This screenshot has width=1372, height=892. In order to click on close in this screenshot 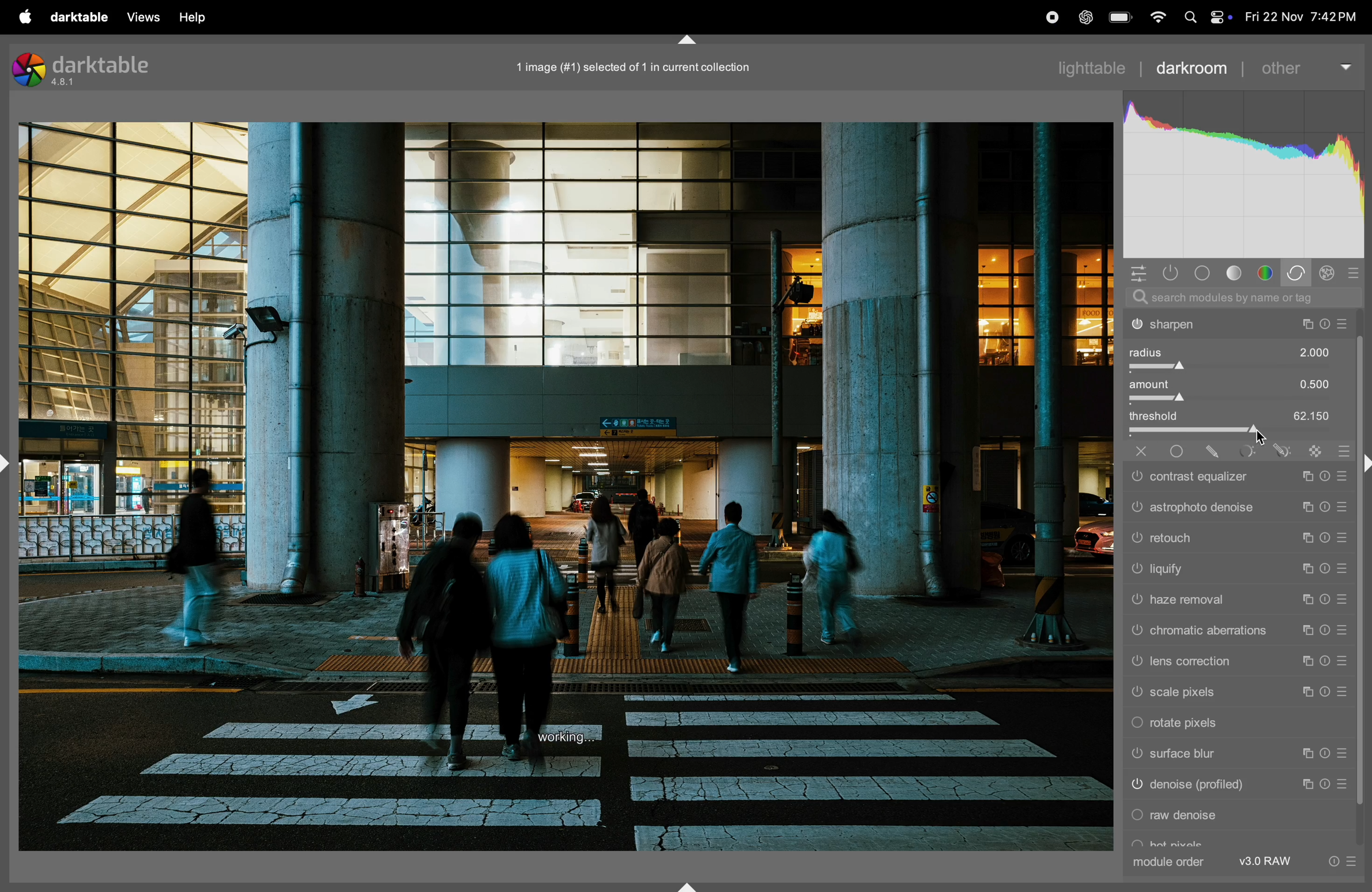, I will do `click(1136, 451)`.